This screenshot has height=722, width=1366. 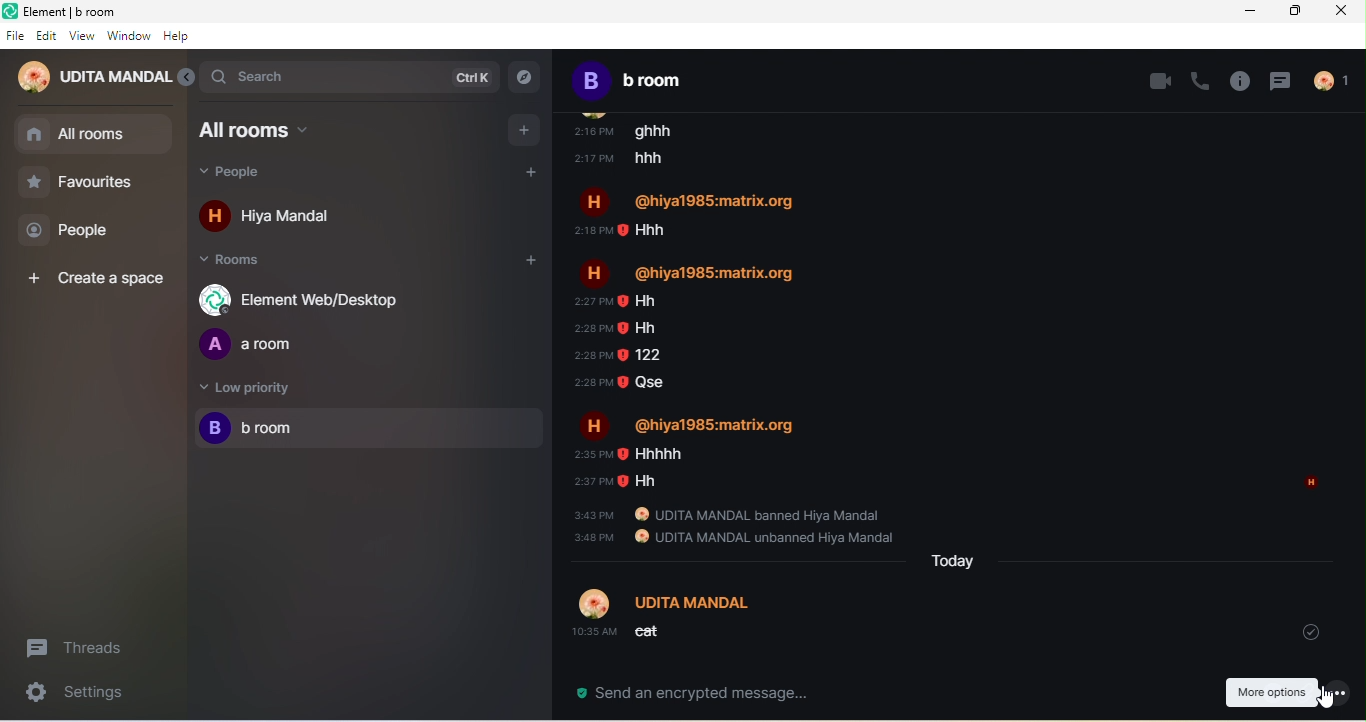 I want to click on sent icon, so click(x=1313, y=633).